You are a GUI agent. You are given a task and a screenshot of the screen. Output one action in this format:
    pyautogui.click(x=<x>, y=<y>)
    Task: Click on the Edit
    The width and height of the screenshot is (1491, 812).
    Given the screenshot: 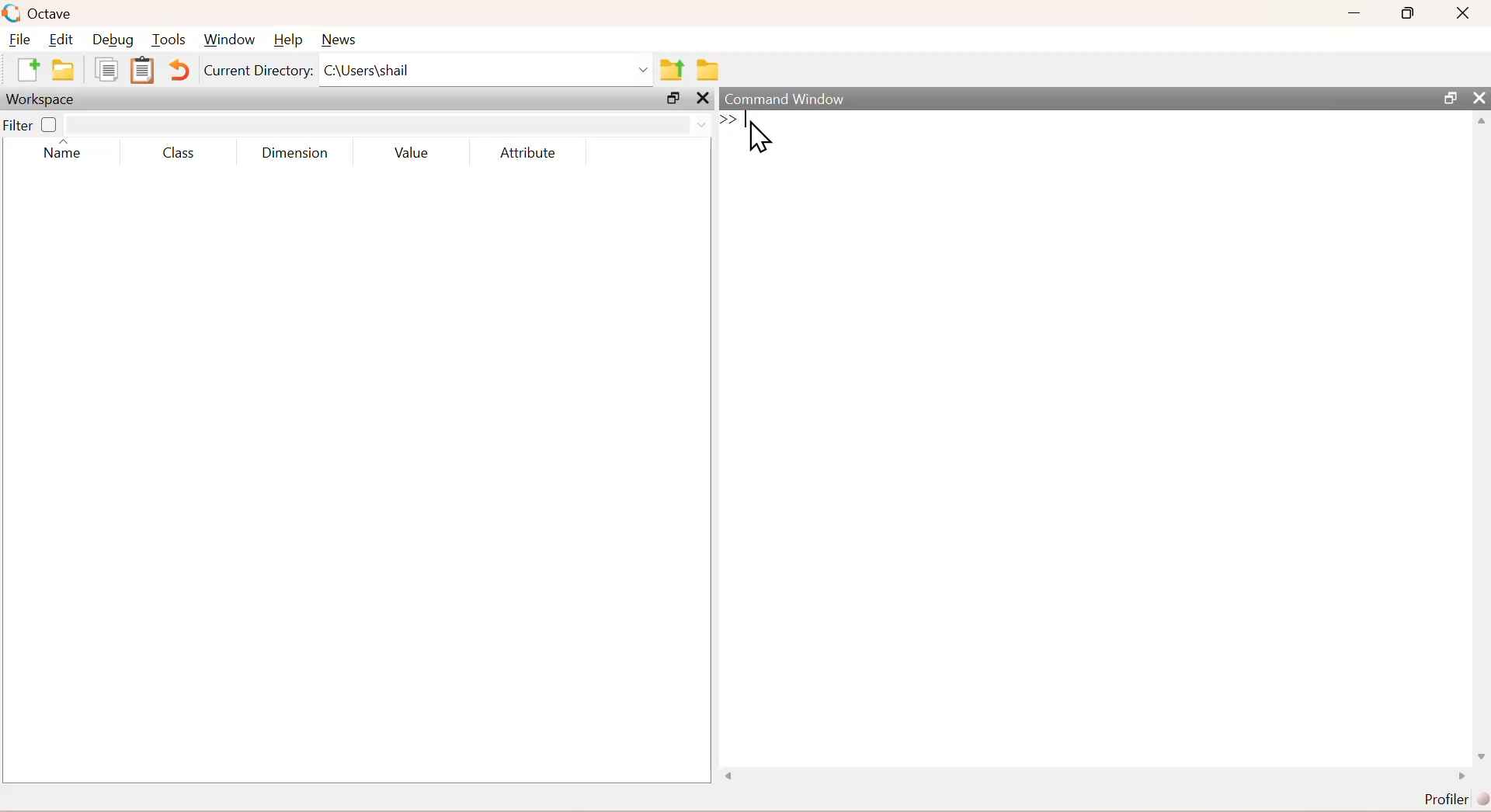 What is the action you would take?
    pyautogui.click(x=65, y=38)
    